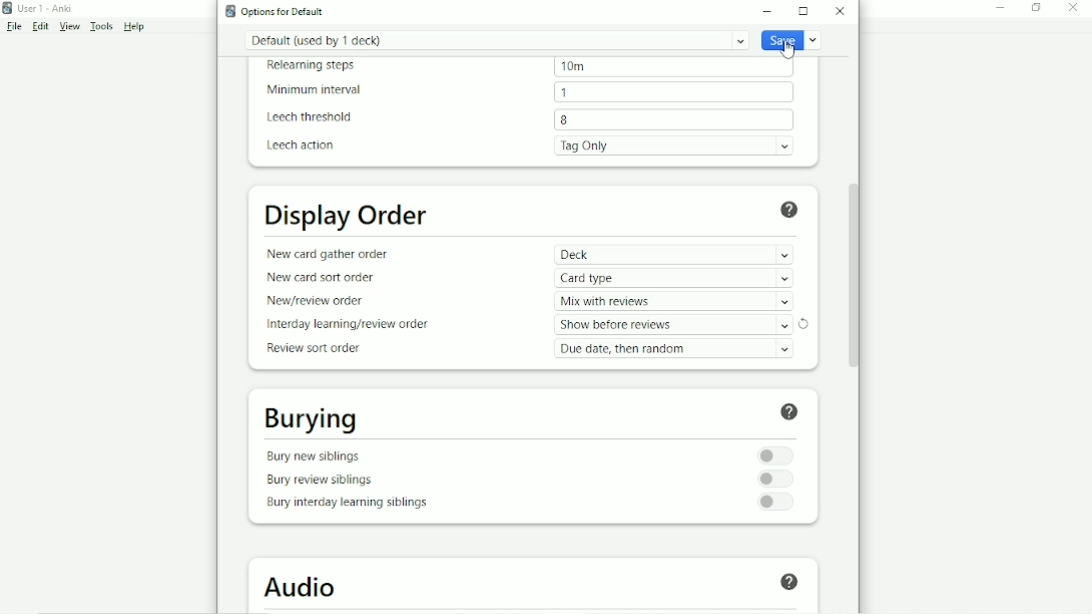 The image size is (1092, 614). I want to click on Help, so click(790, 210).